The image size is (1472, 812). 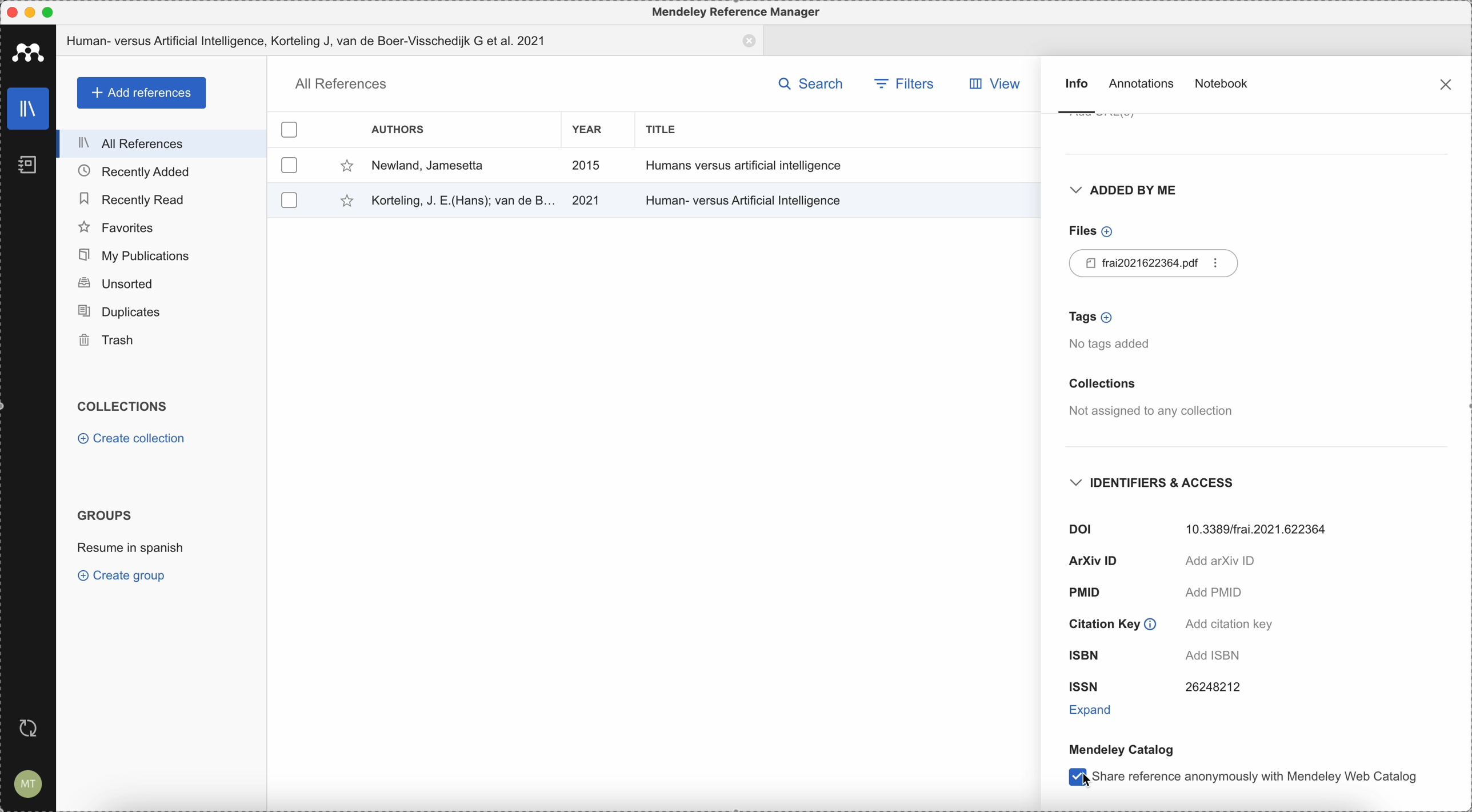 What do you see at coordinates (33, 11) in the screenshot?
I see `minimize Mendeley` at bounding box center [33, 11].